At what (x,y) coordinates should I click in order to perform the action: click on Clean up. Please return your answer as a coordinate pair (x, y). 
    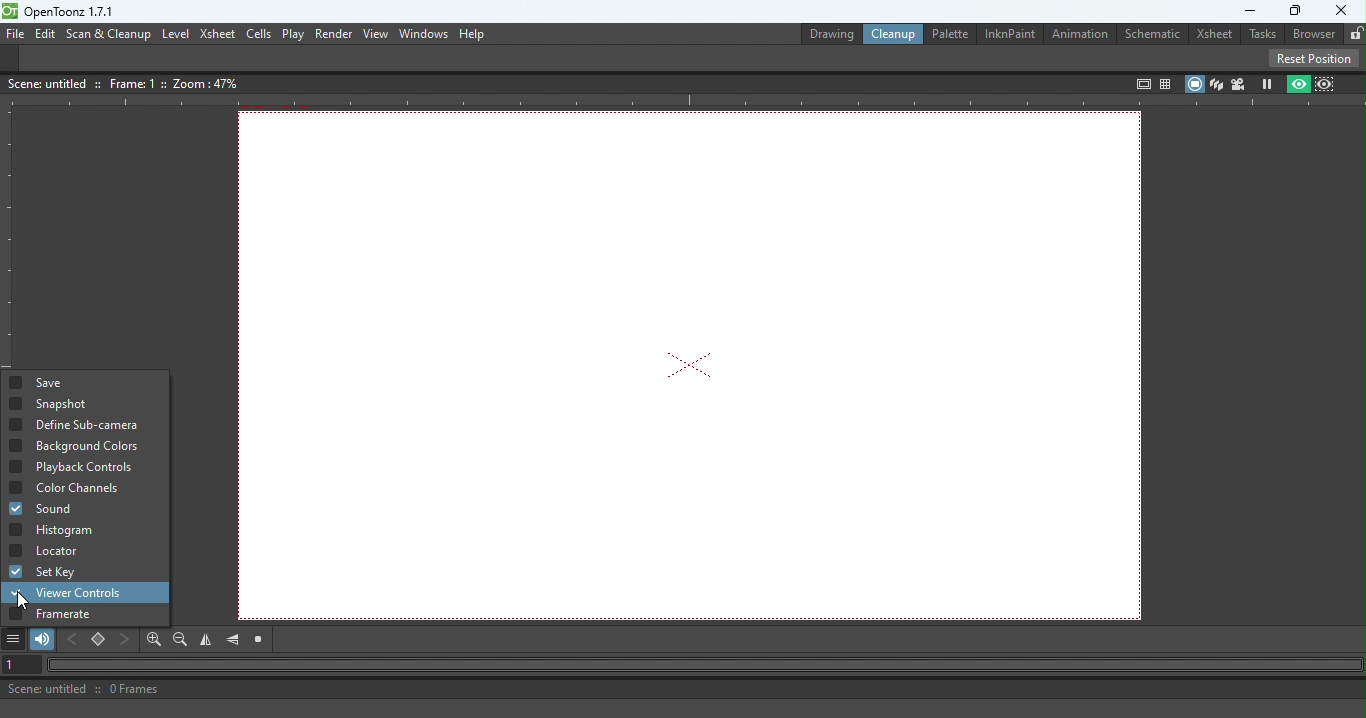
    Looking at the image, I should click on (890, 34).